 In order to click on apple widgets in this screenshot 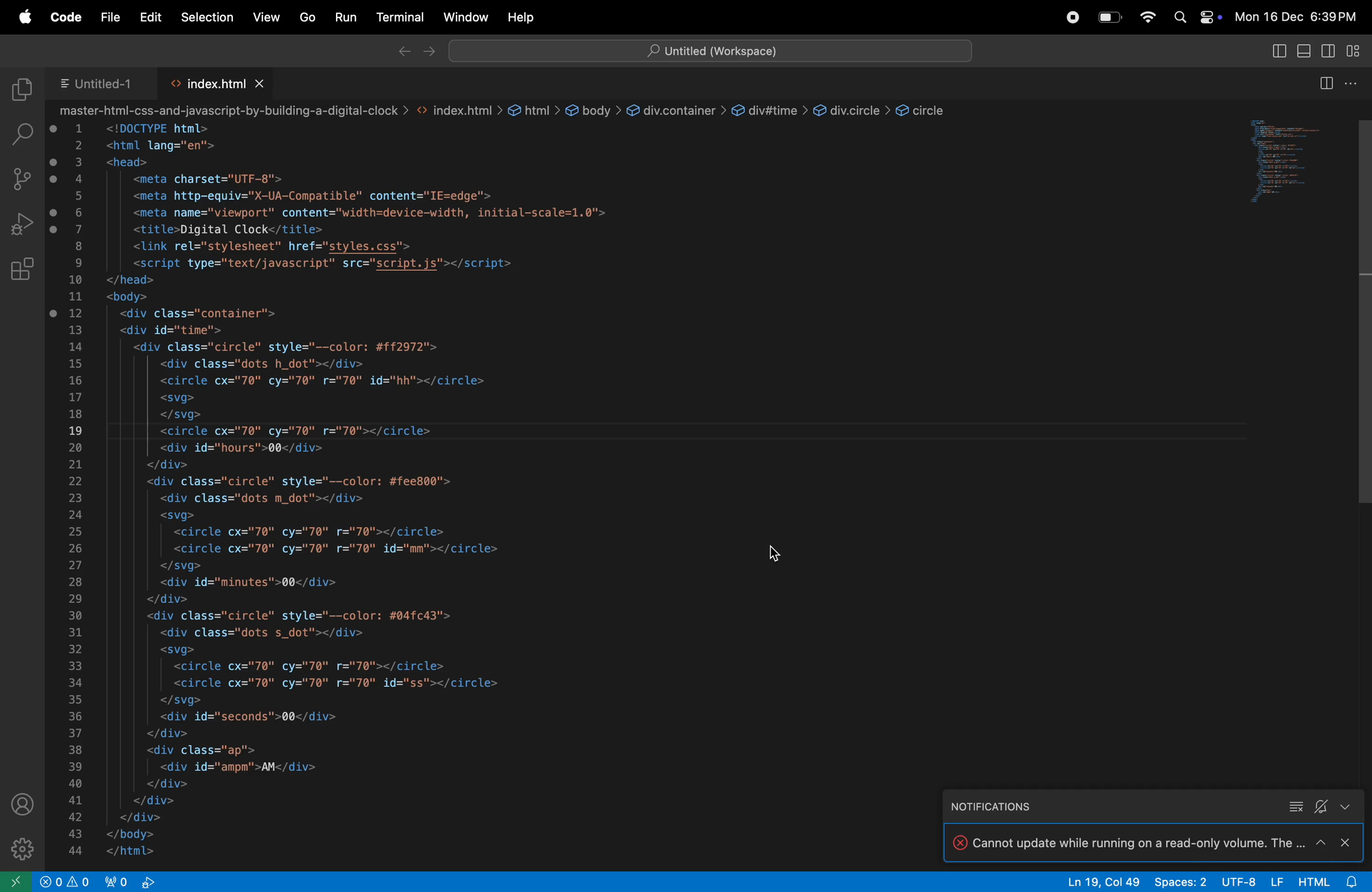, I will do `click(1197, 14)`.